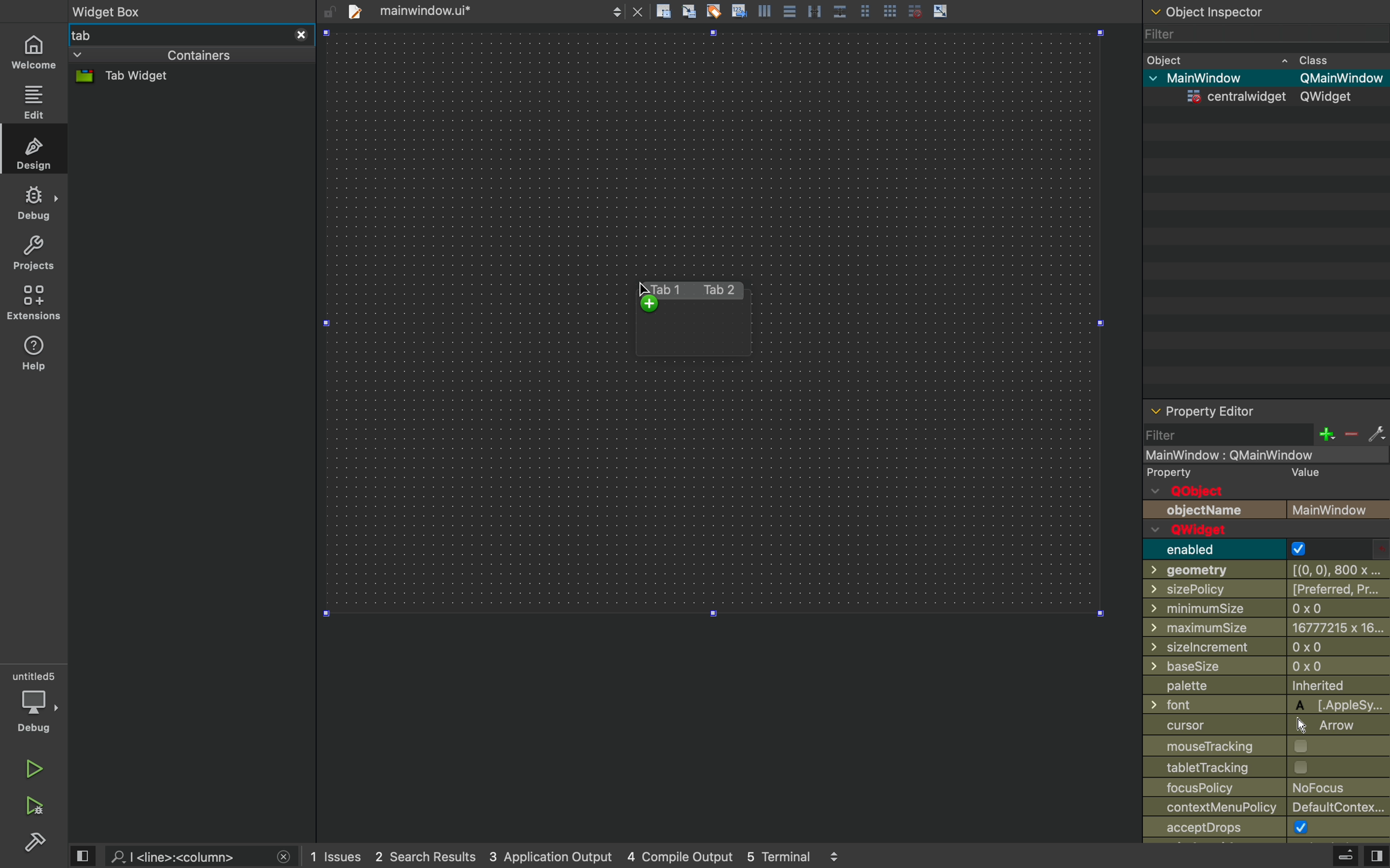 The image size is (1390, 868). Describe the element at coordinates (1266, 629) in the screenshot. I see `minimum size` at that location.